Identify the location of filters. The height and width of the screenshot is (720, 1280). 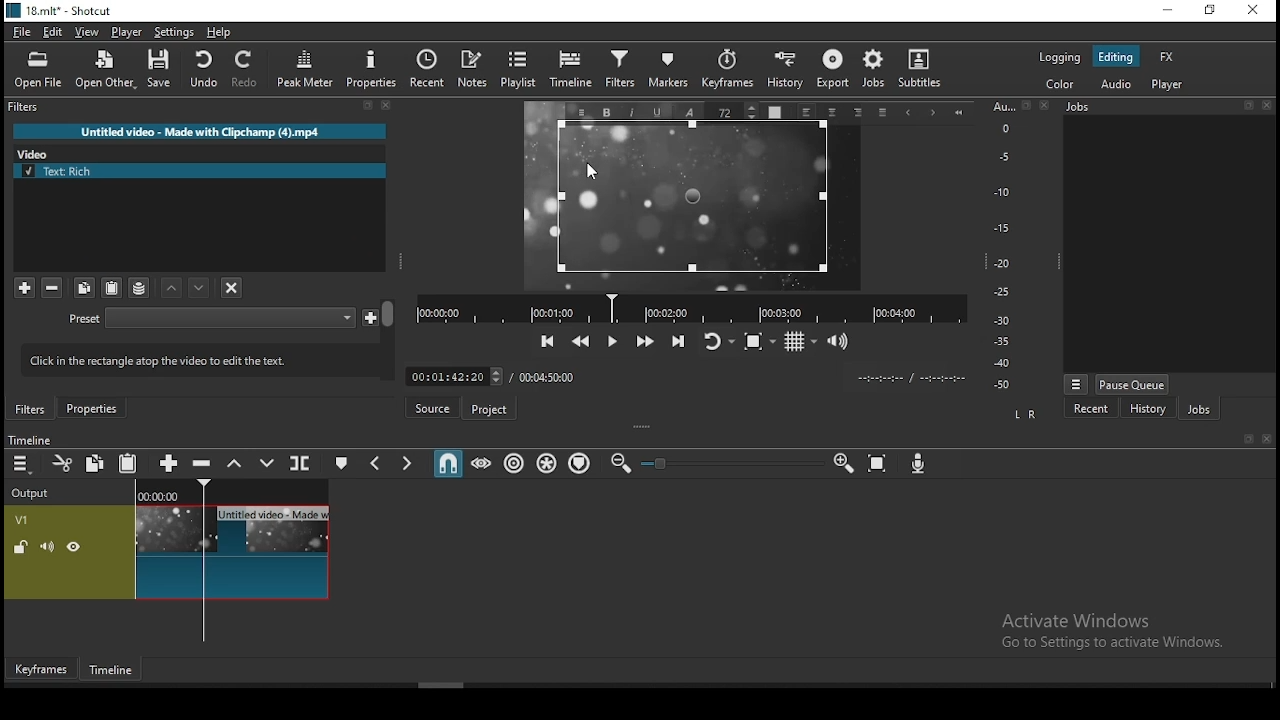
(619, 72).